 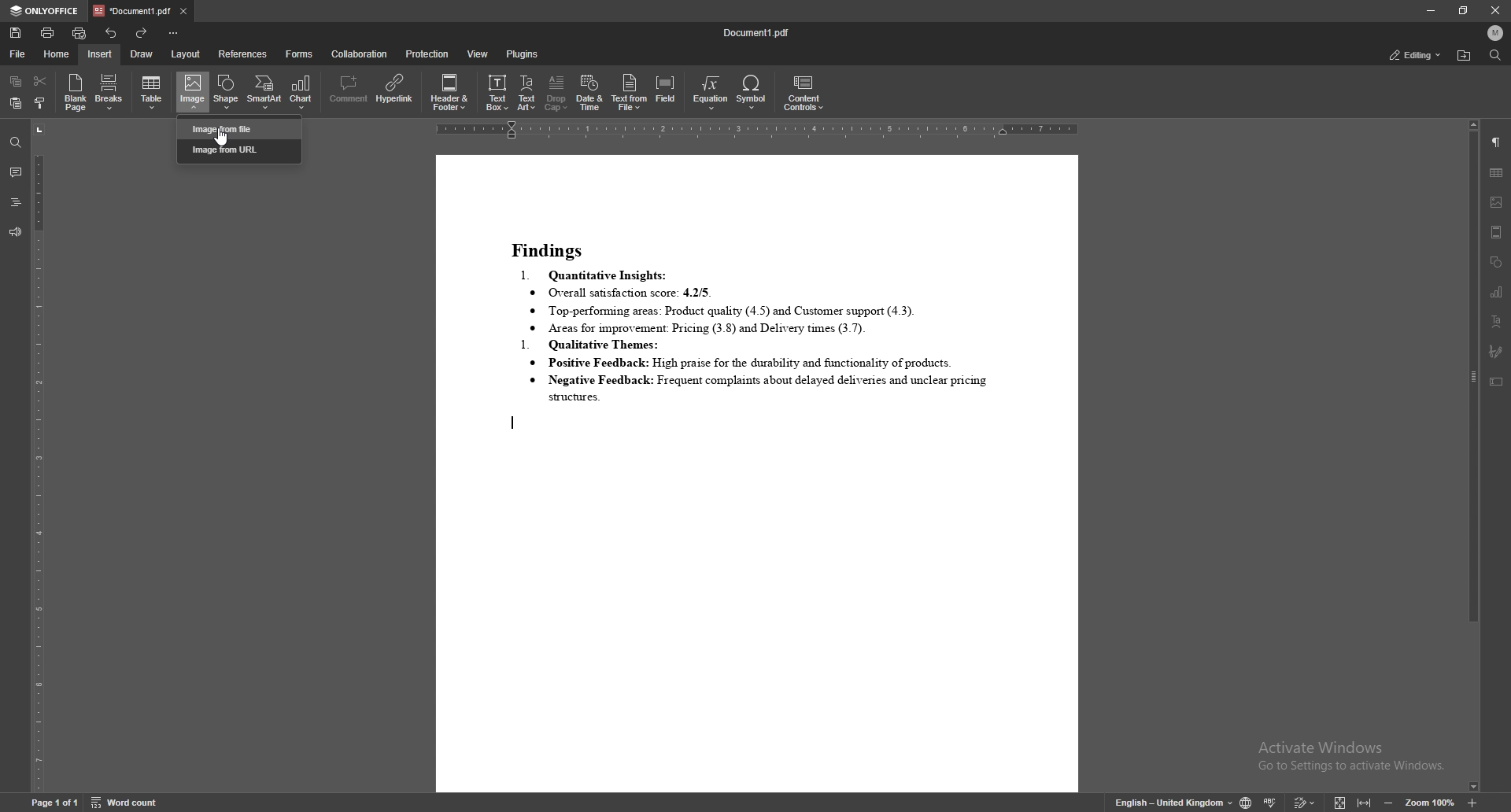 I want to click on close tab, so click(x=183, y=12).